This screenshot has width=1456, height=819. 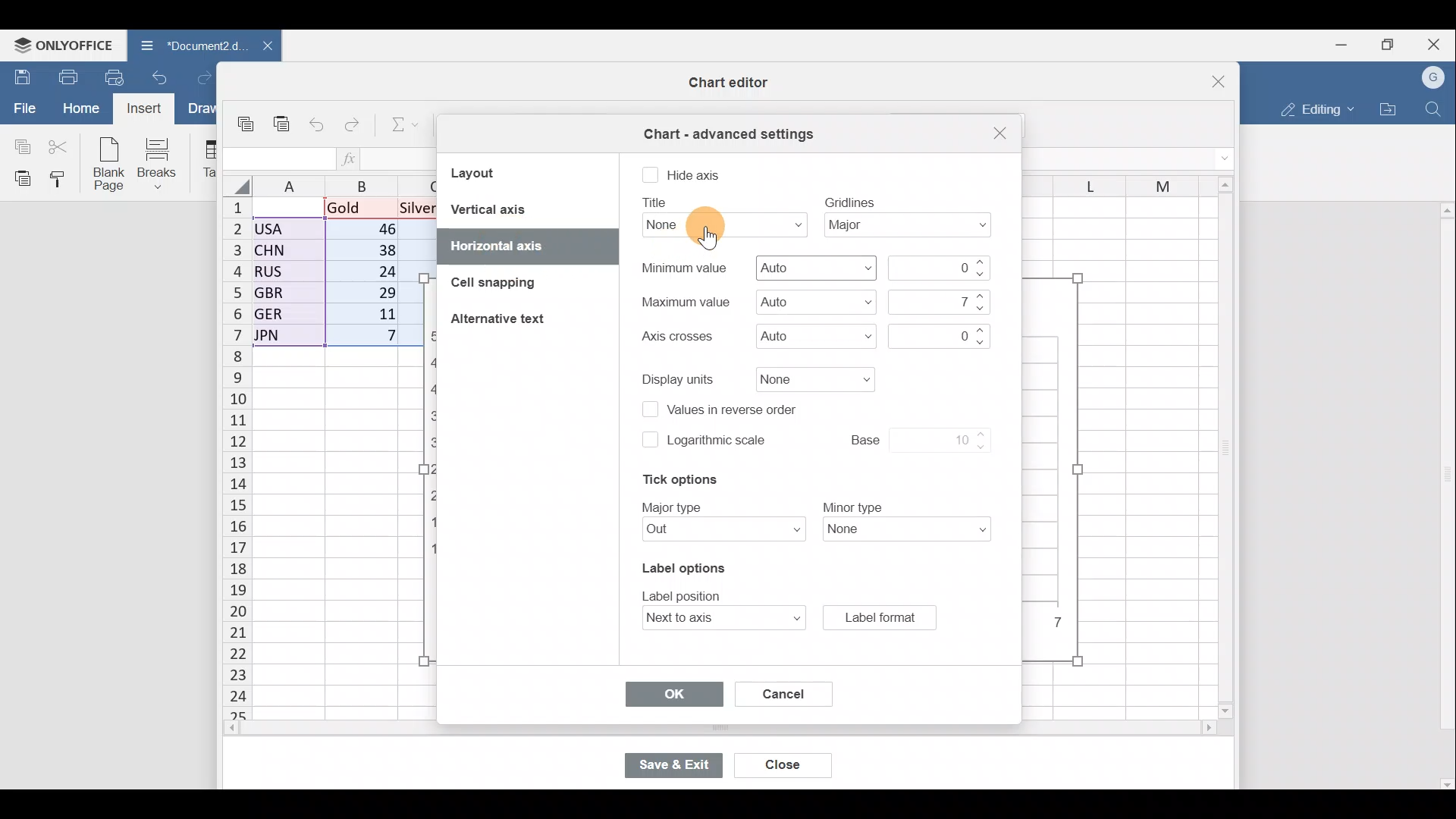 What do you see at coordinates (648, 439) in the screenshot?
I see `checkbox` at bounding box center [648, 439].